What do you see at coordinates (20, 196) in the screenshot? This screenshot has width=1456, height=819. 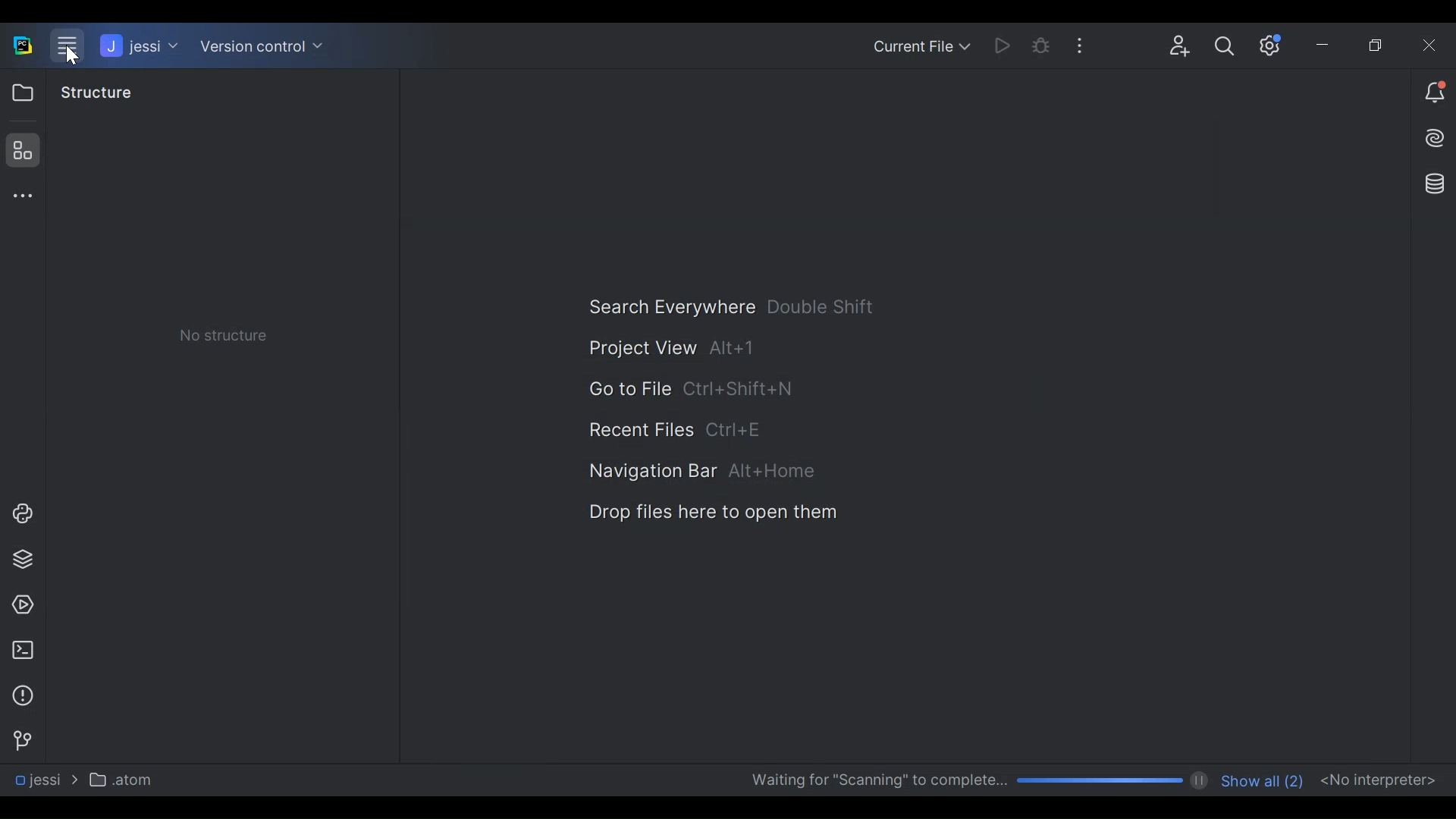 I see `More tool window` at bounding box center [20, 196].